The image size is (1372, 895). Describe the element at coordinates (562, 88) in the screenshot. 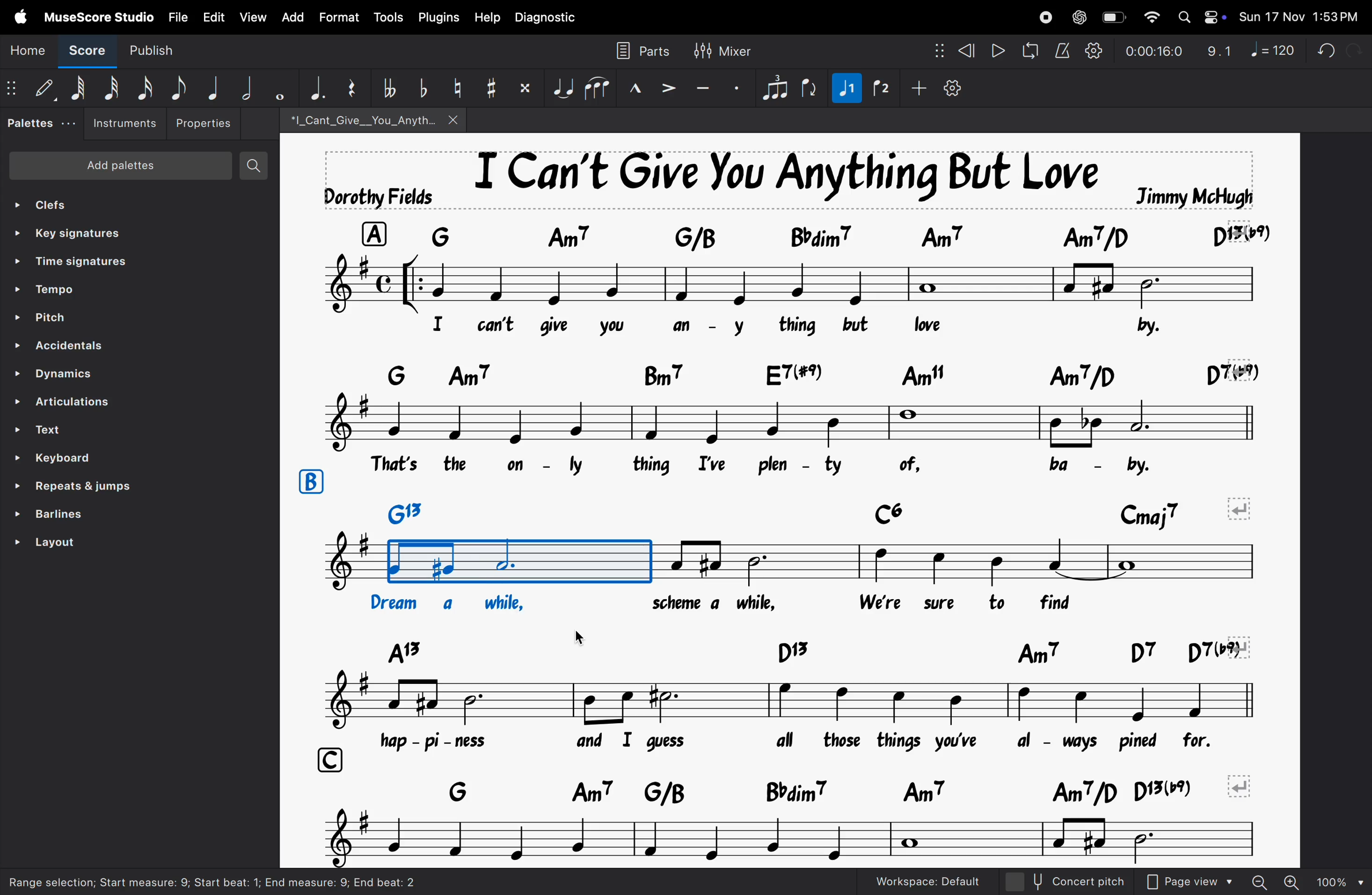

I see `tie` at that location.